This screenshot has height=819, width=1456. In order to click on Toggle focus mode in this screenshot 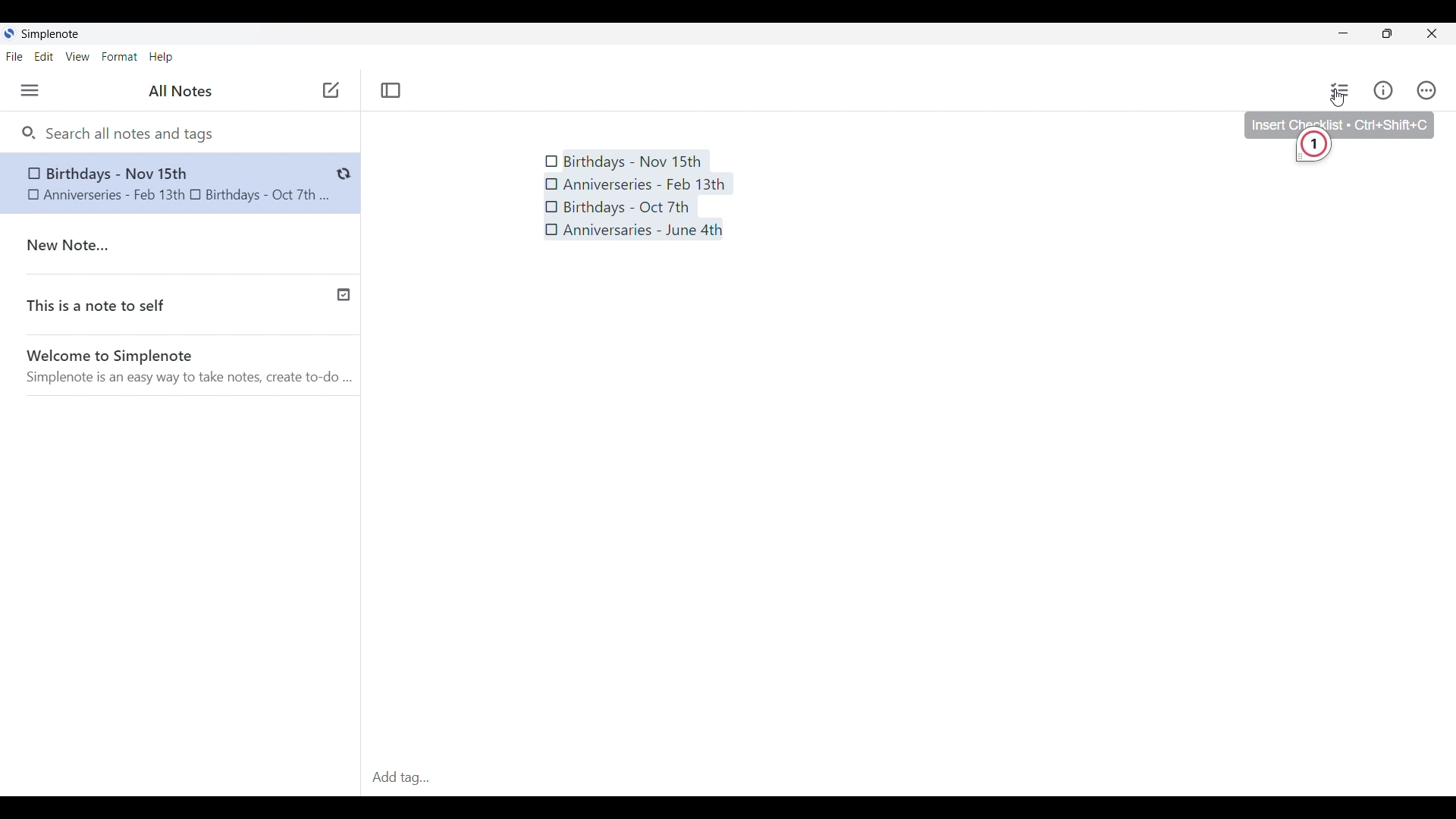, I will do `click(391, 90)`.